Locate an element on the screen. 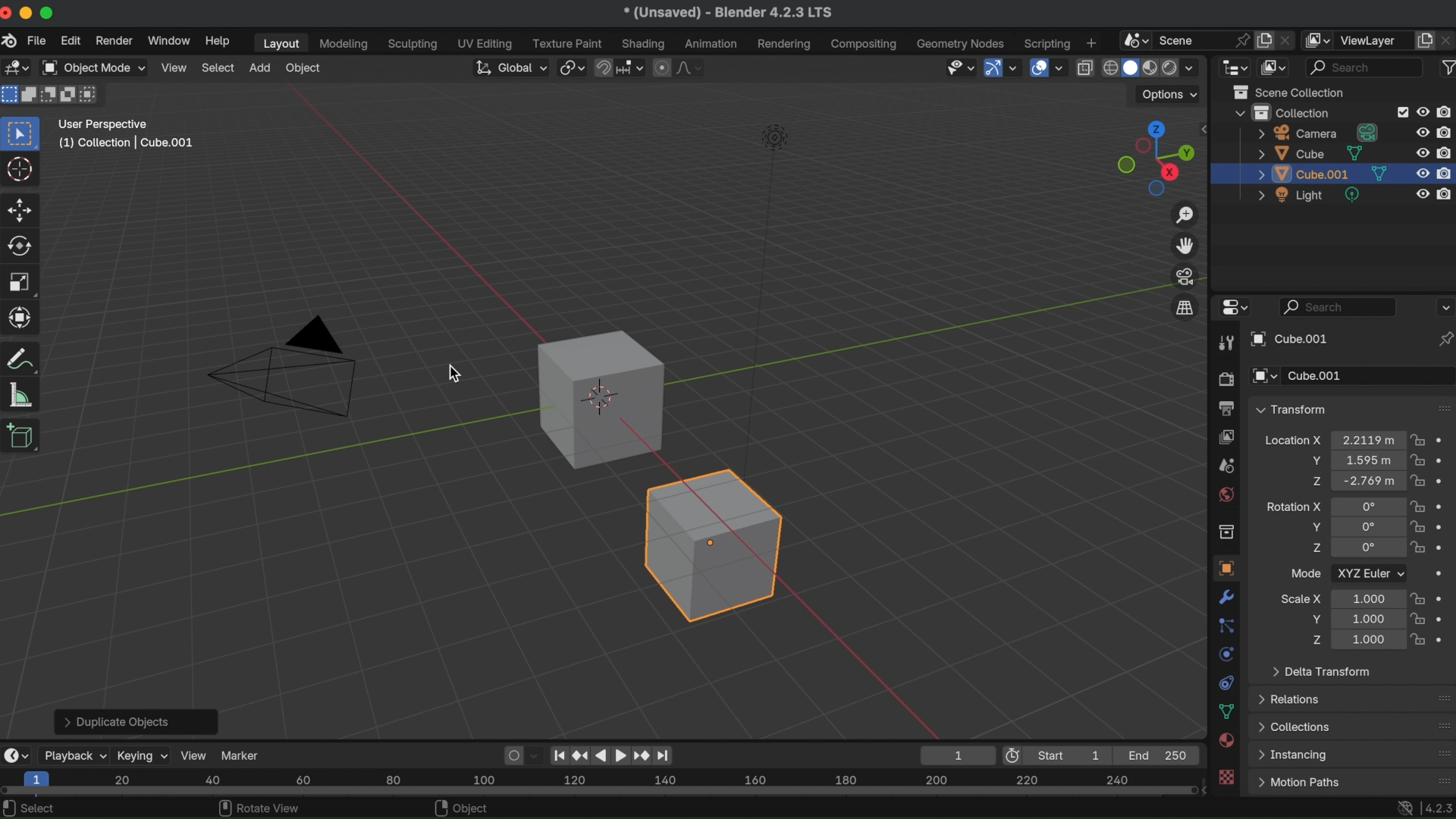 The height and width of the screenshot is (819, 1456). location of object is located at coordinates (1368, 481).